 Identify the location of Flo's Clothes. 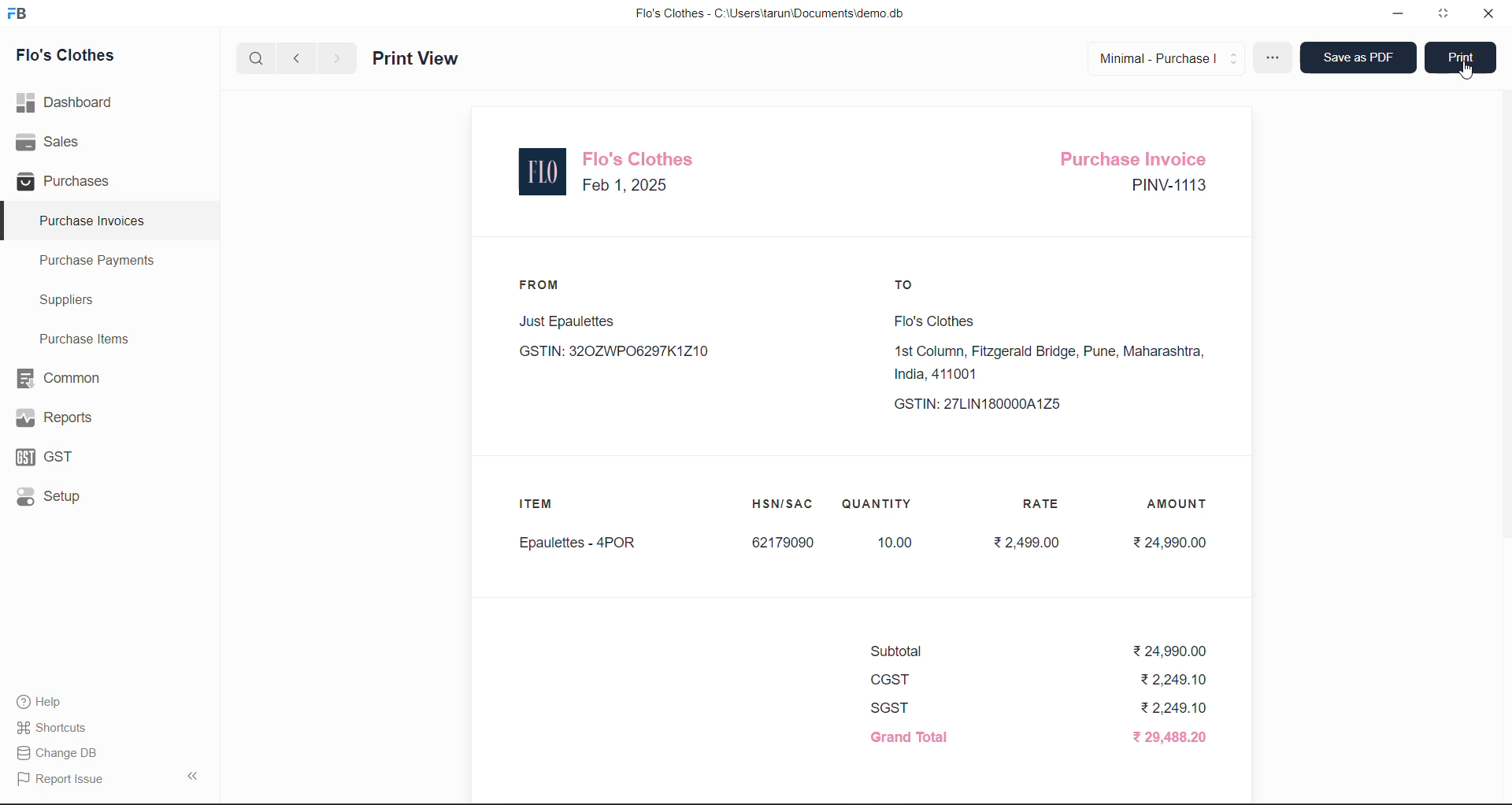
(76, 57).